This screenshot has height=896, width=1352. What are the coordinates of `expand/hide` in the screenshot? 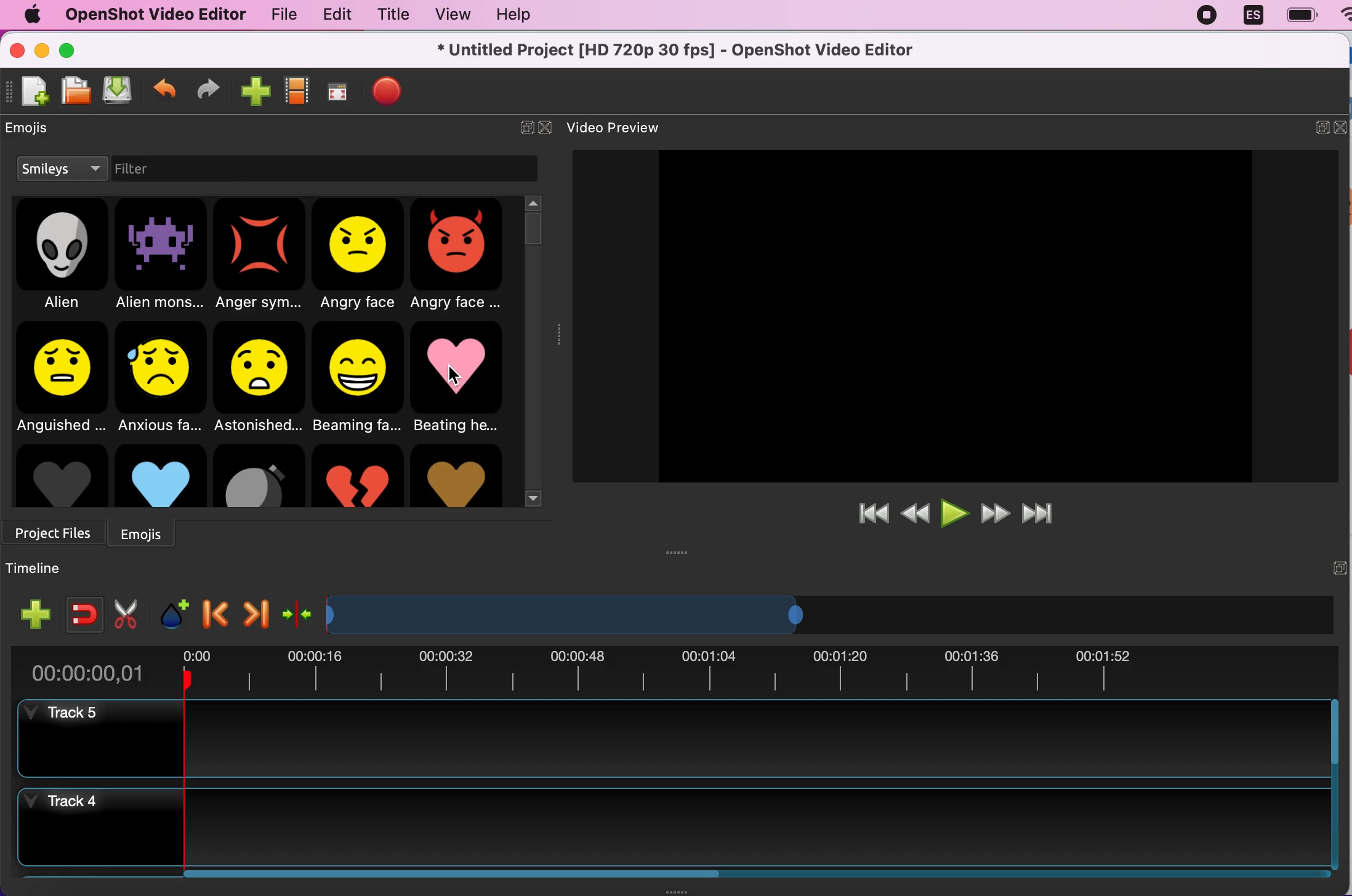 It's located at (519, 126).